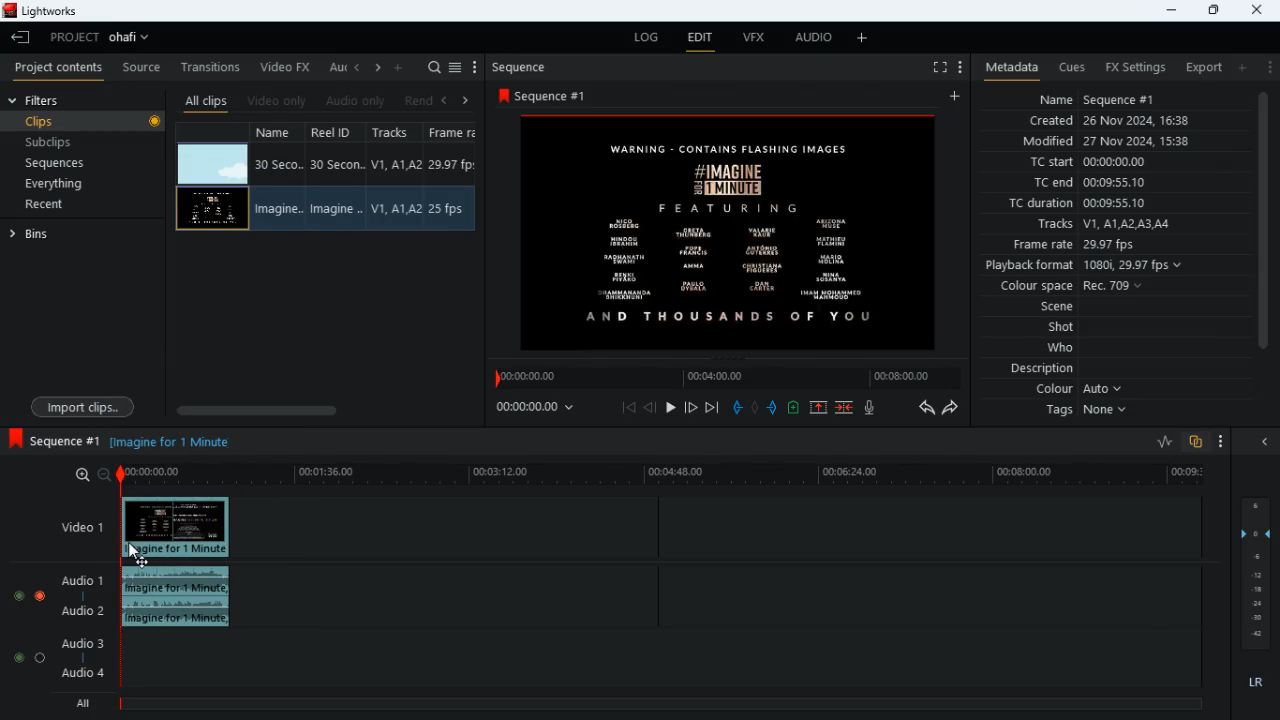 The image size is (1280, 720). Describe the element at coordinates (661, 655) in the screenshot. I see `timeline tracks` at that location.